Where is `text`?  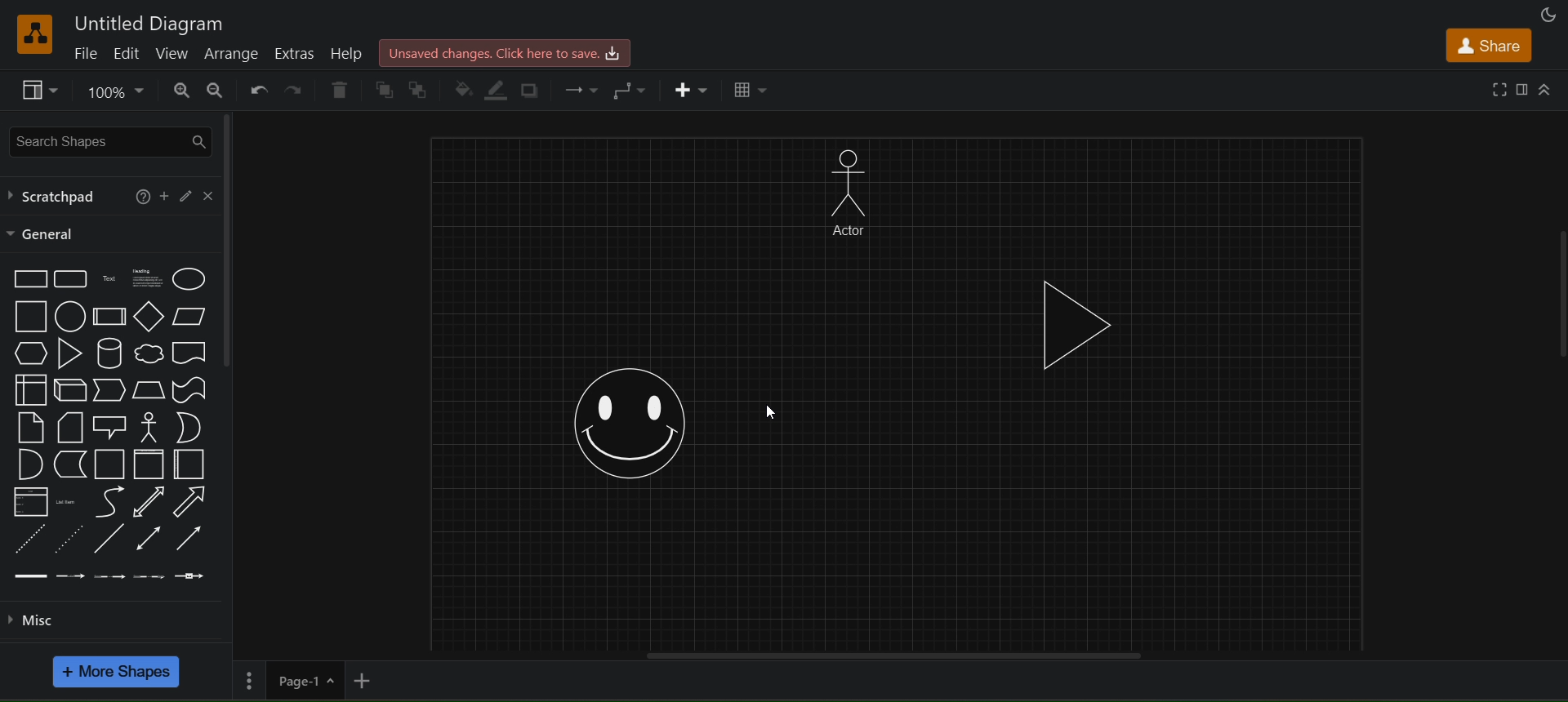
text is located at coordinates (107, 280).